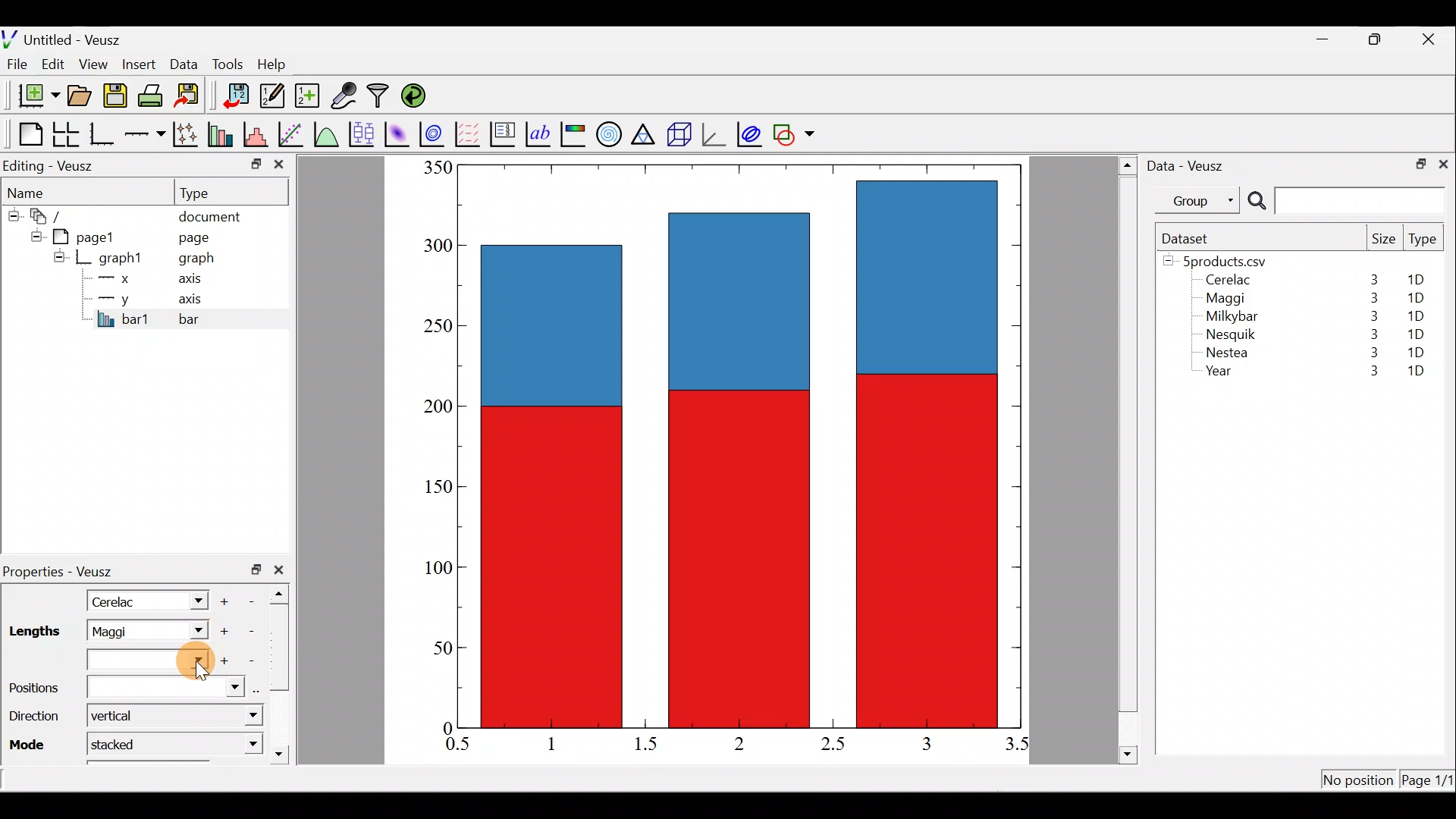 The width and height of the screenshot is (1456, 819). What do you see at coordinates (118, 600) in the screenshot?
I see `Cerelac` at bounding box center [118, 600].